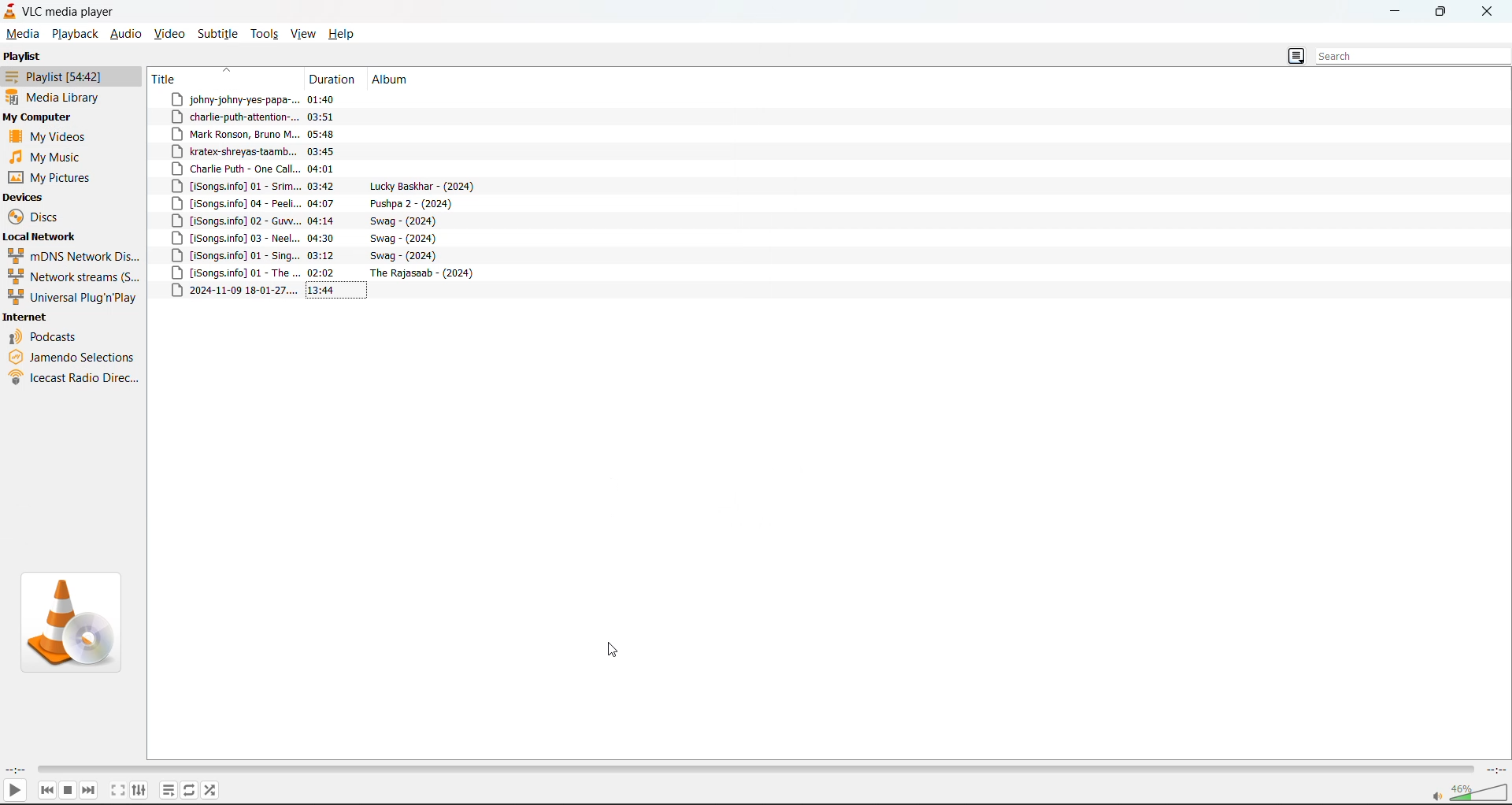 The width and height of the screenshot is (1512, 805). Describe the element at coordinates (287, 134) in the screenshot. I see `track 3 title, duration and album details` at that location.